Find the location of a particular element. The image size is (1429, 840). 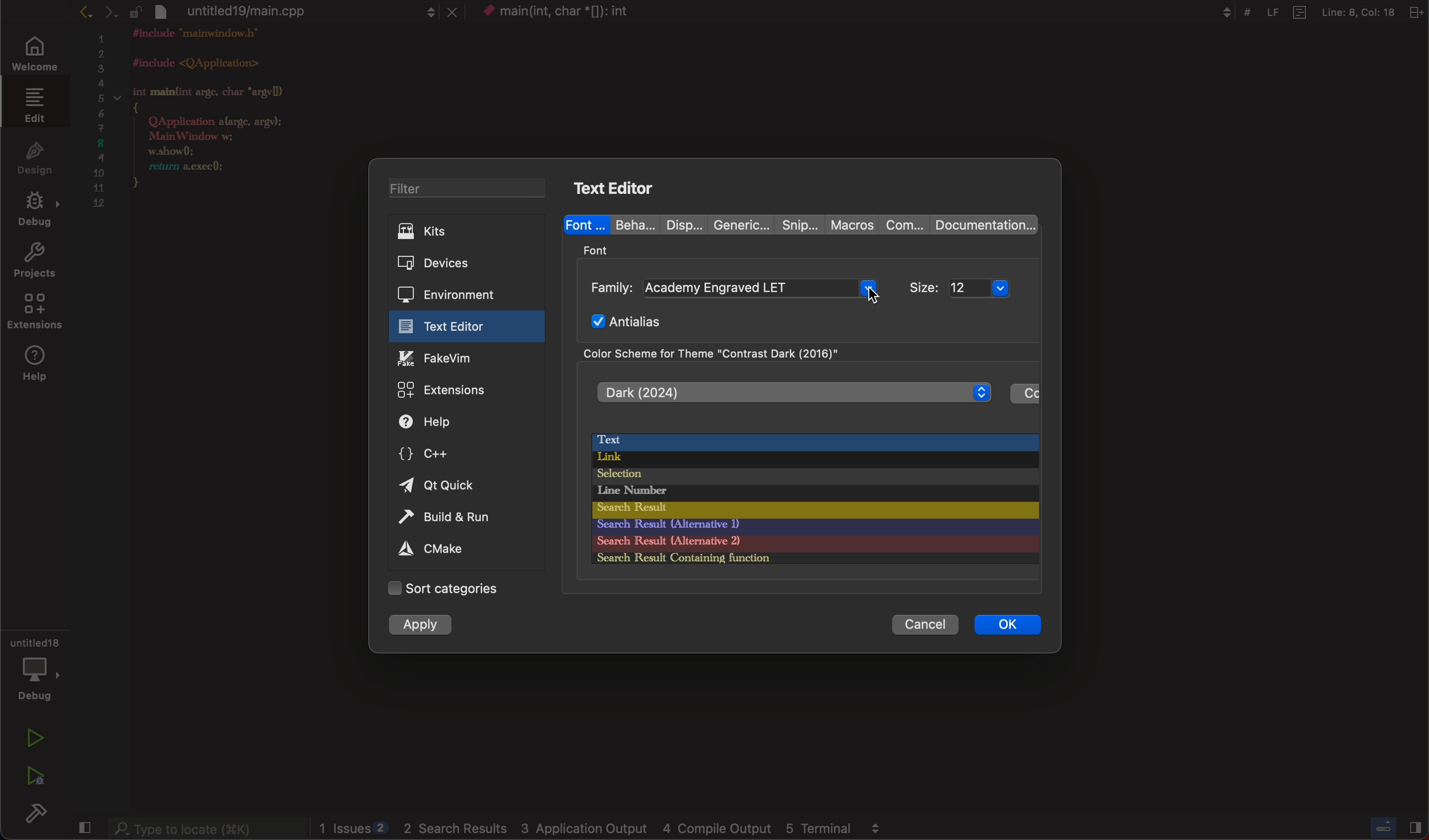

dark 2024 is located at coordinates (792, 392).